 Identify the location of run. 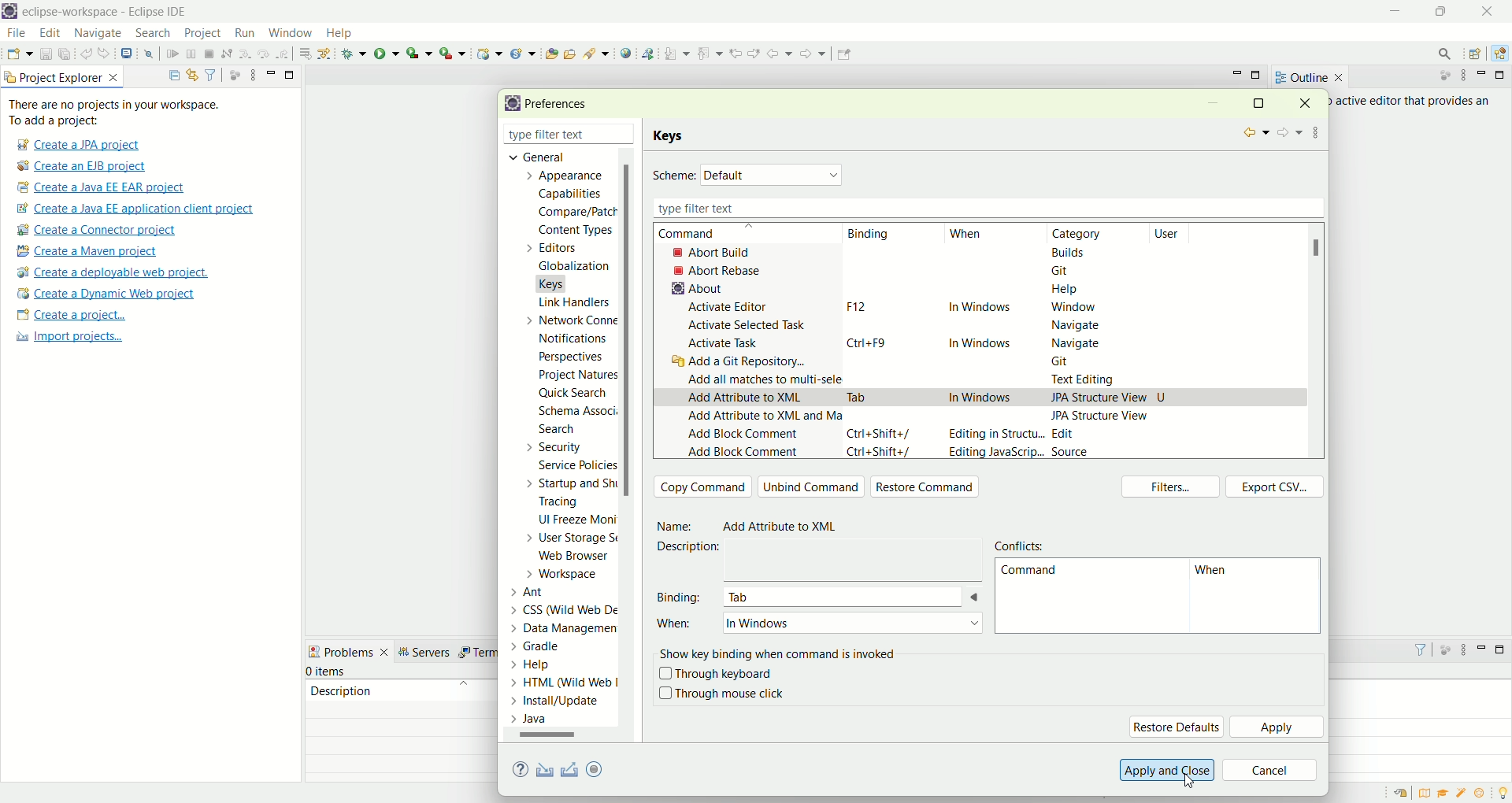
(387, 53).